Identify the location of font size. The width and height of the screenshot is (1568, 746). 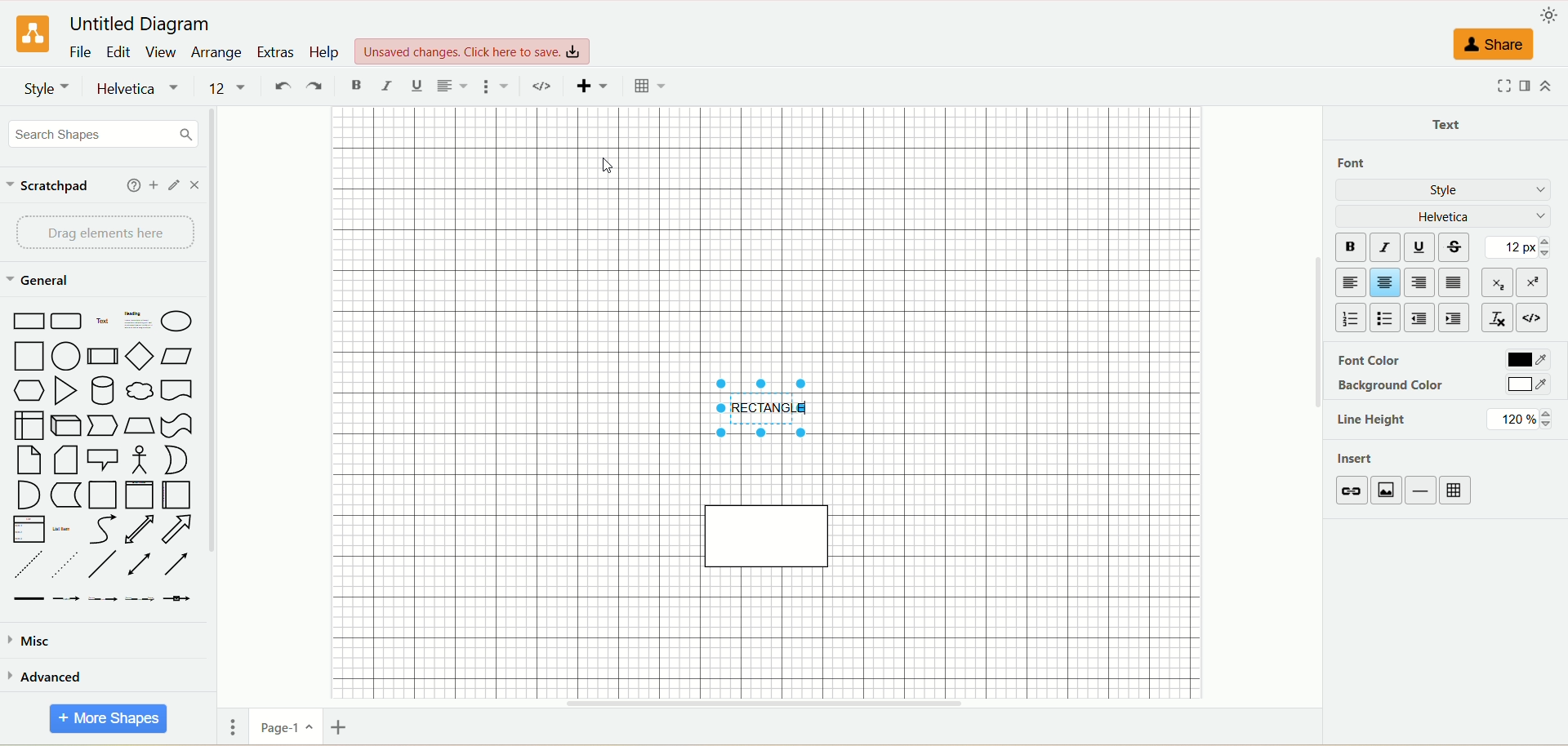
(229, 88).